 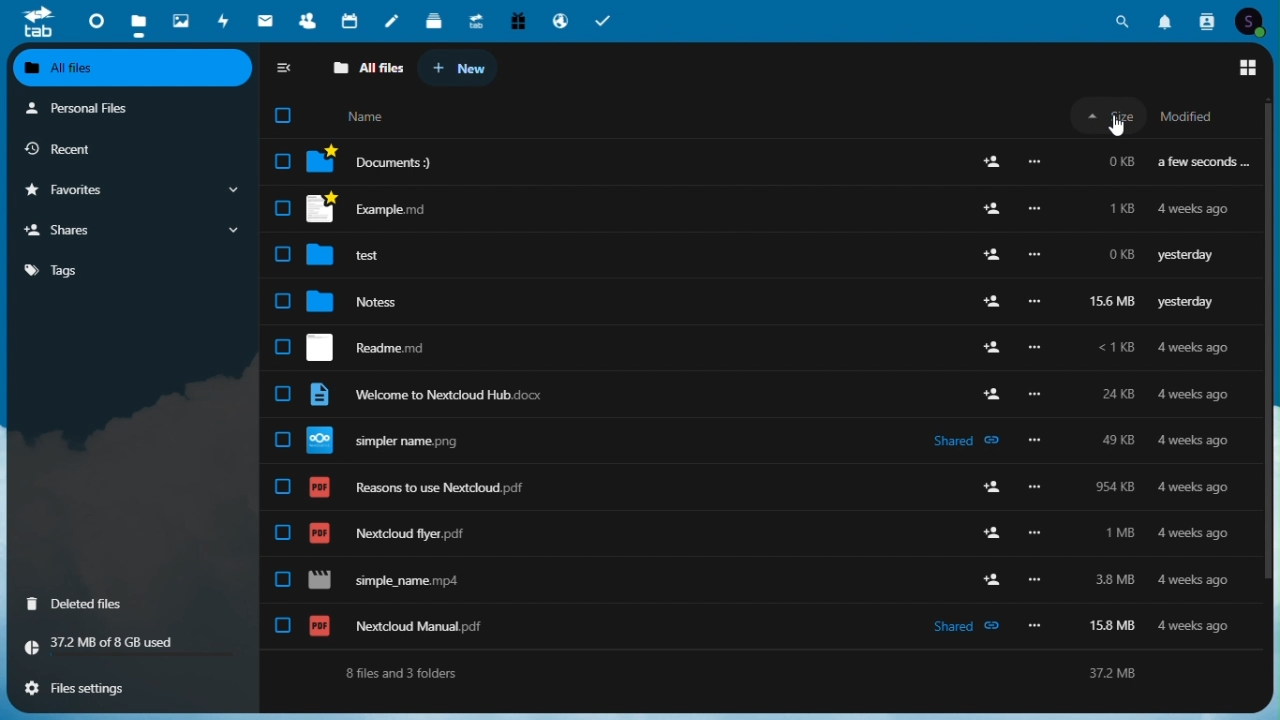 I want to click on ‘Documents 3), so click(x=761, y=160).